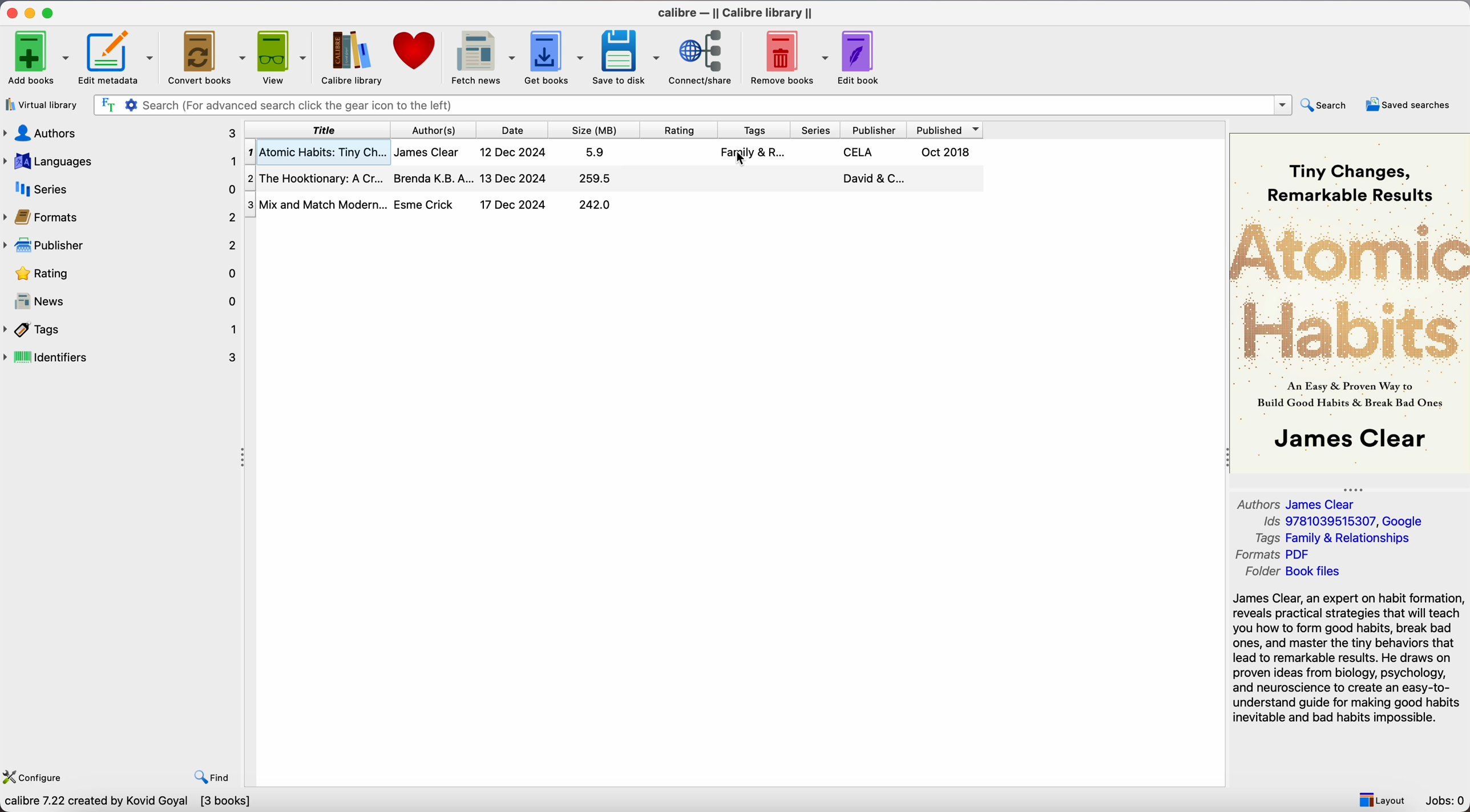 This screenshot has width=1470, height=812. Describe the element at coordinates (861, 151) in the screenshot. I see `CELA` at that location.